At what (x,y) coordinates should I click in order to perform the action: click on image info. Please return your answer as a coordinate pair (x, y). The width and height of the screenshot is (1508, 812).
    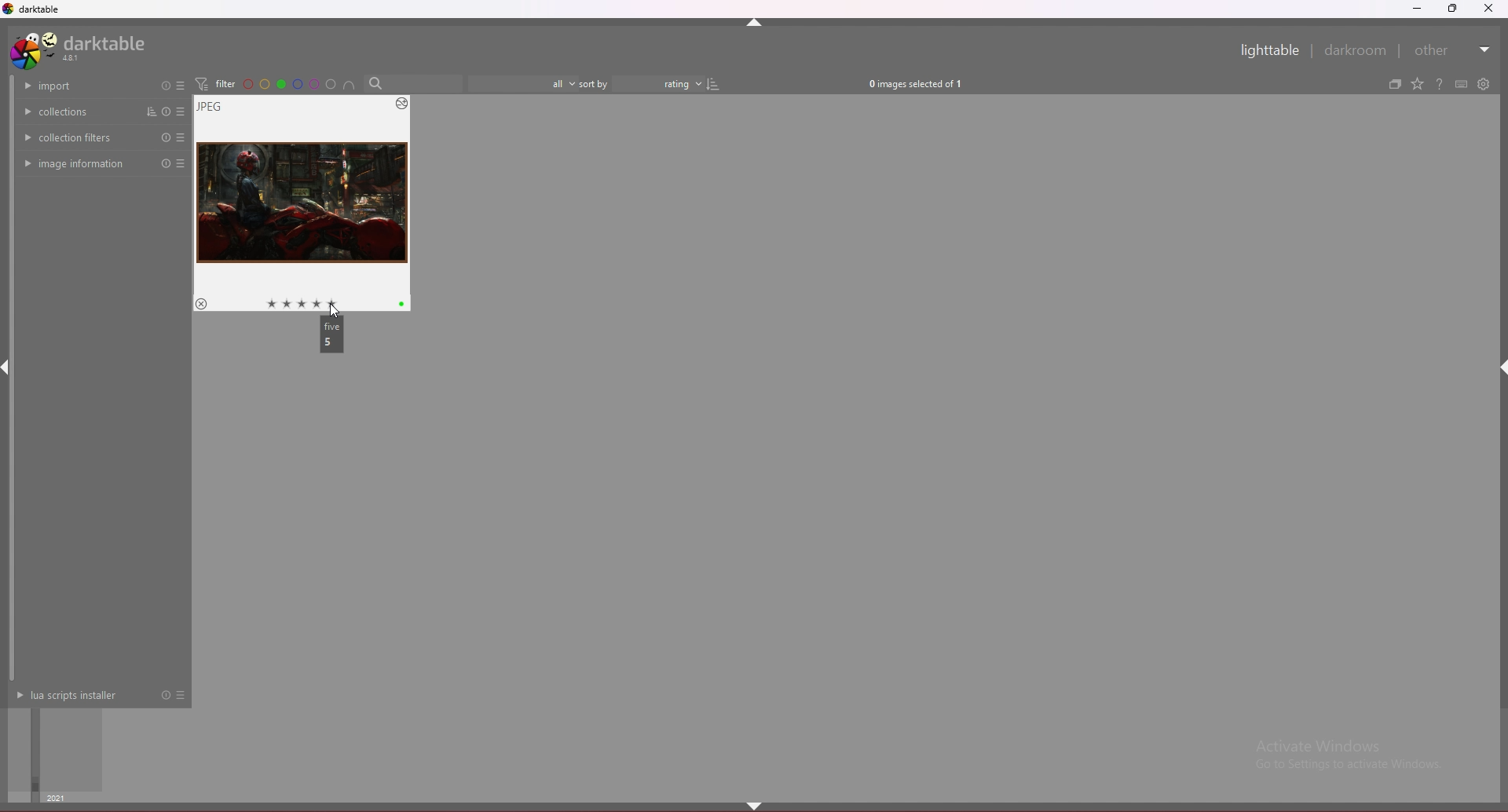
    Looking at the image, I should click on (78, 164).